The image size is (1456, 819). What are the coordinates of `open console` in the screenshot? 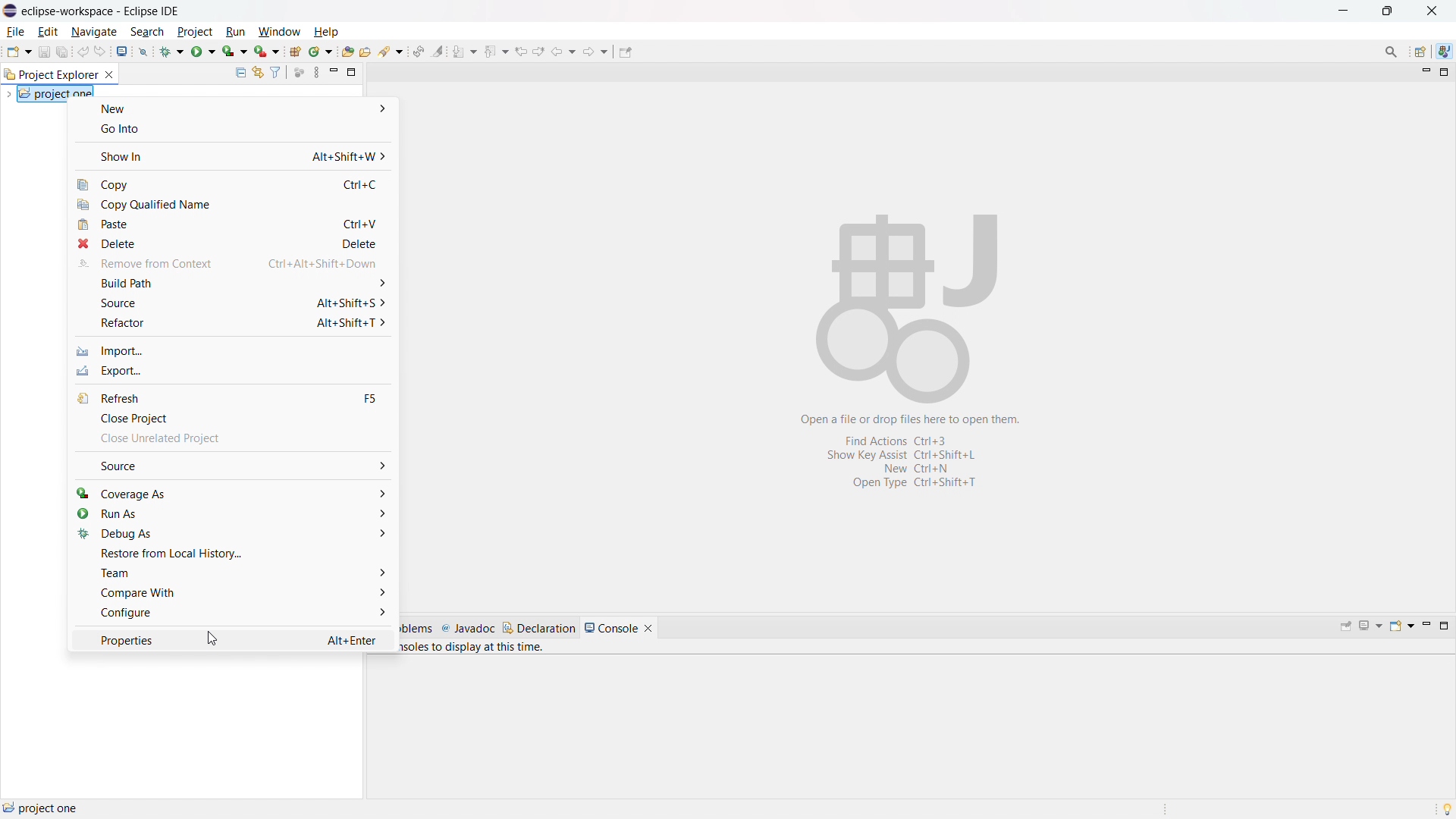 It's located at (123, 52).